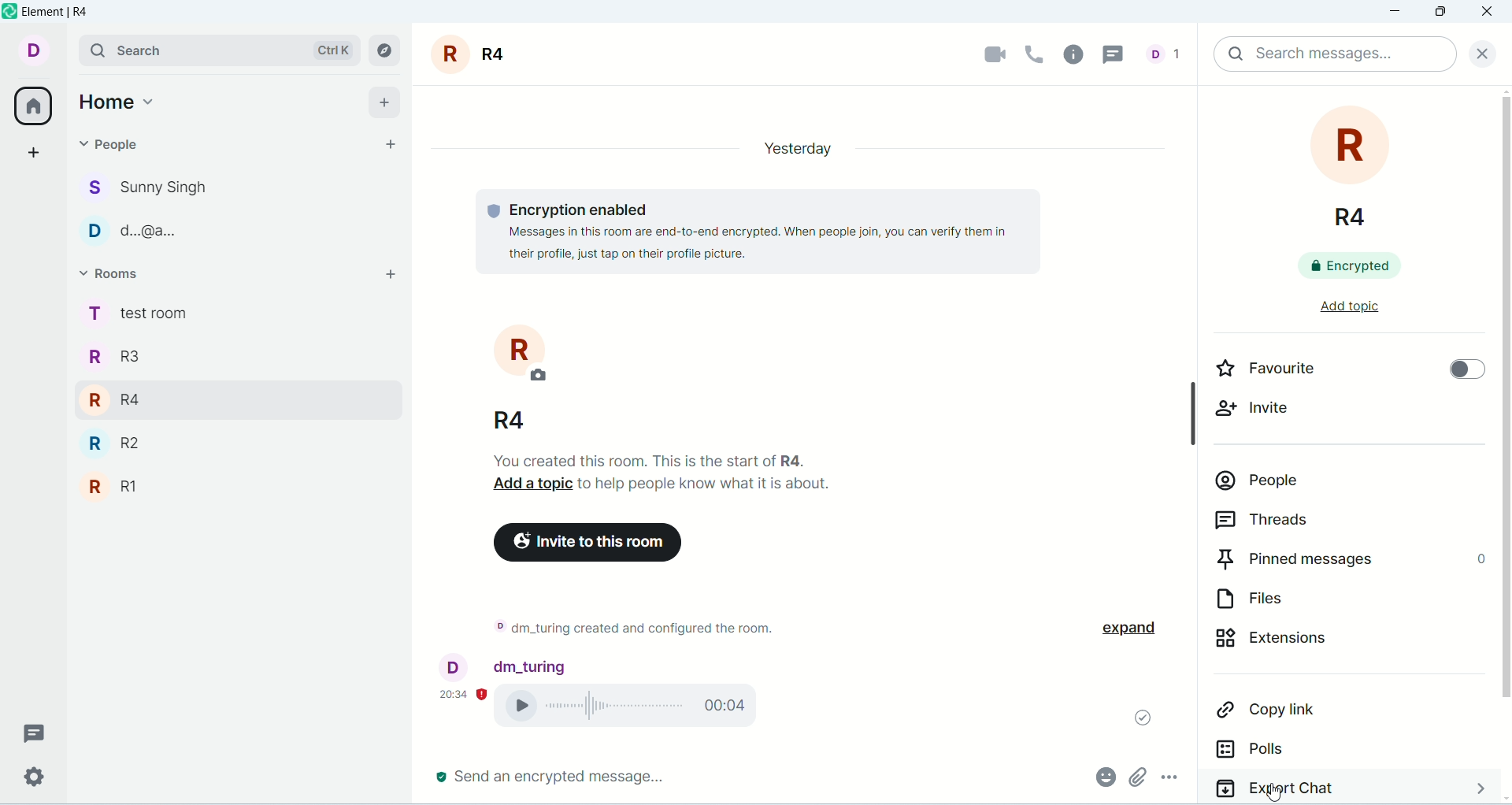  I want to click on time, so click(464, 692).